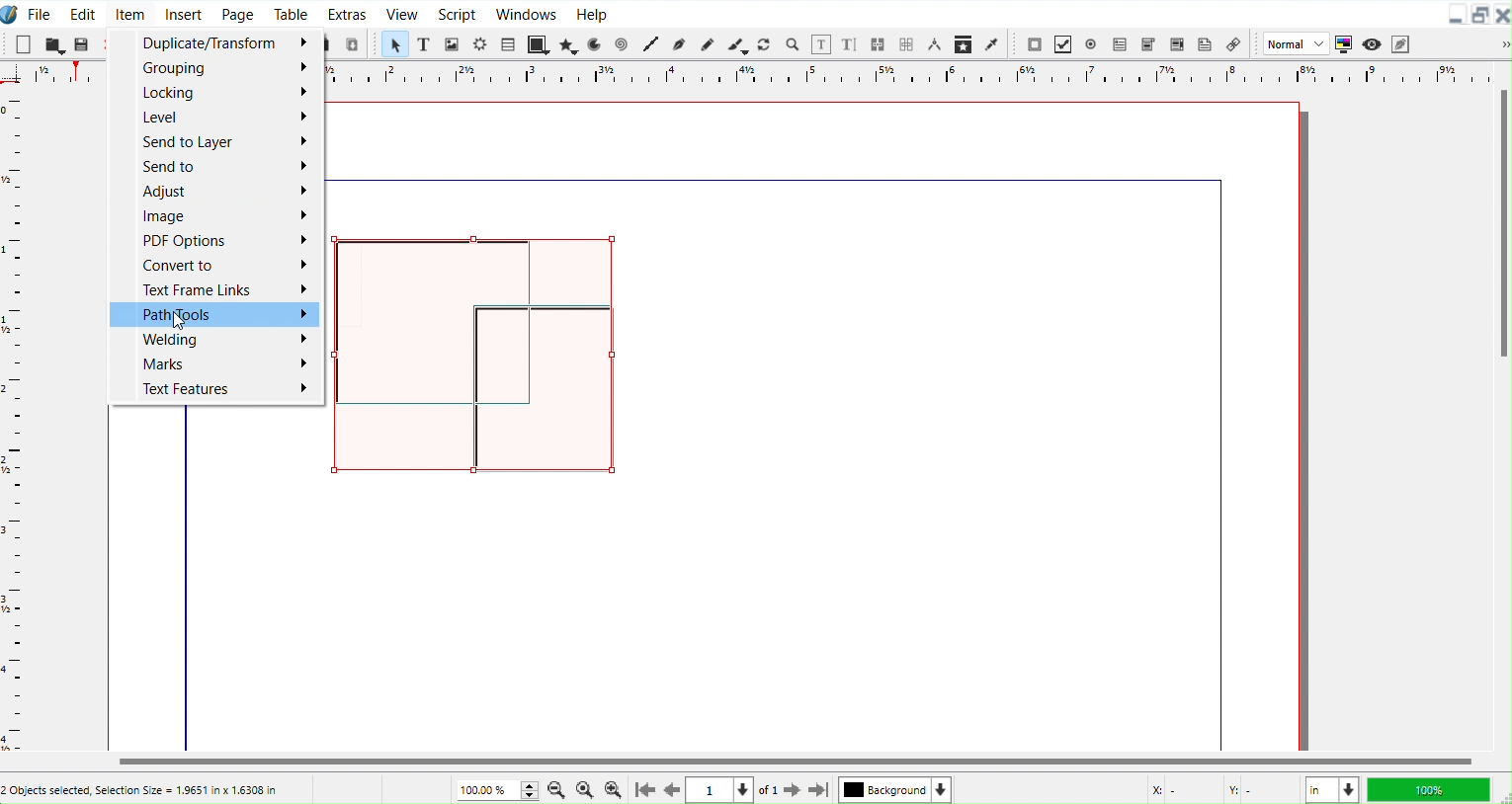 This screenshot has width=1512, height=804. What do you see at coordinates (214, 168) in the screenshot?
I see `Send to` at bounding box center [214, 168].